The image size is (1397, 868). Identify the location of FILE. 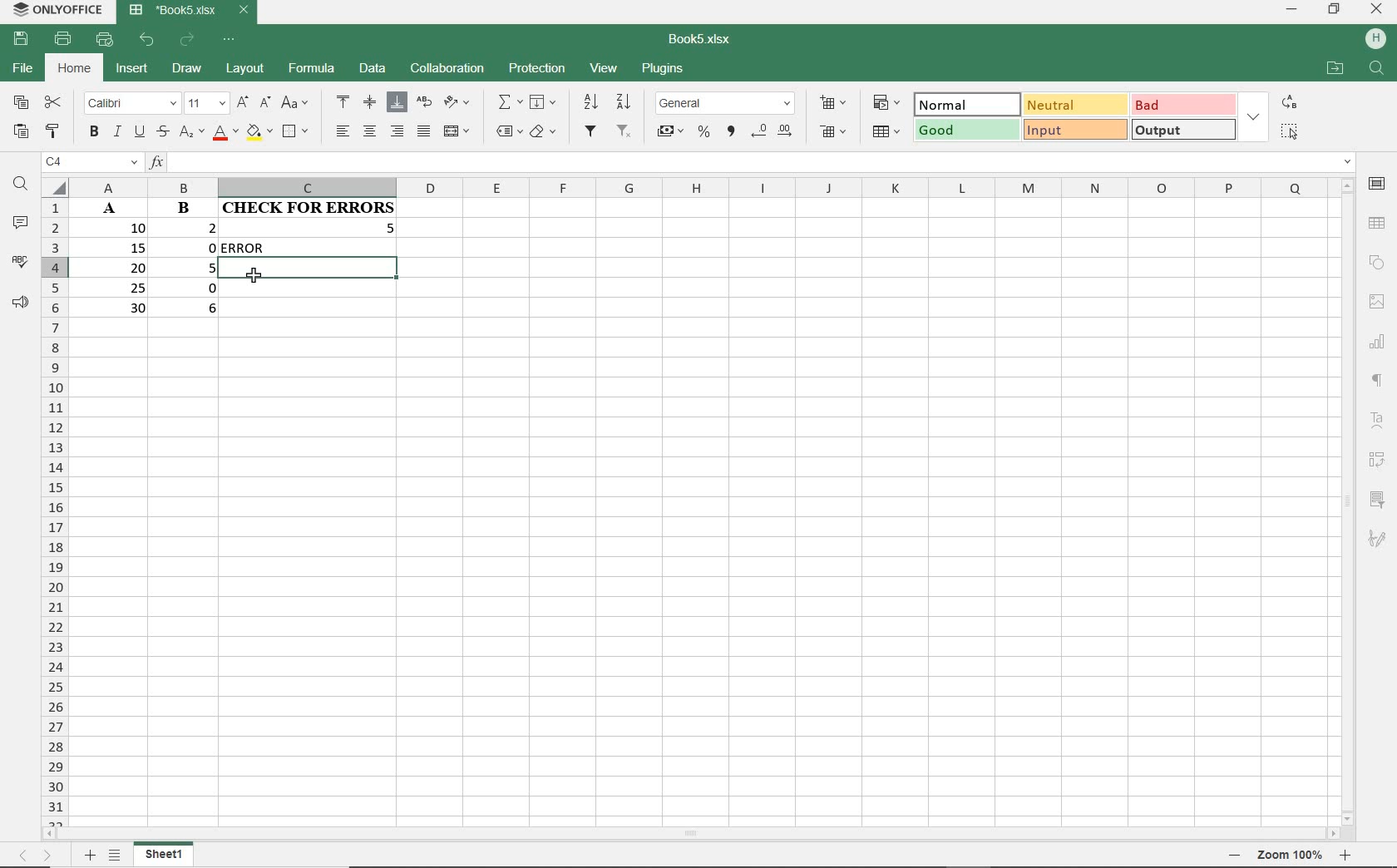
(20, 68).